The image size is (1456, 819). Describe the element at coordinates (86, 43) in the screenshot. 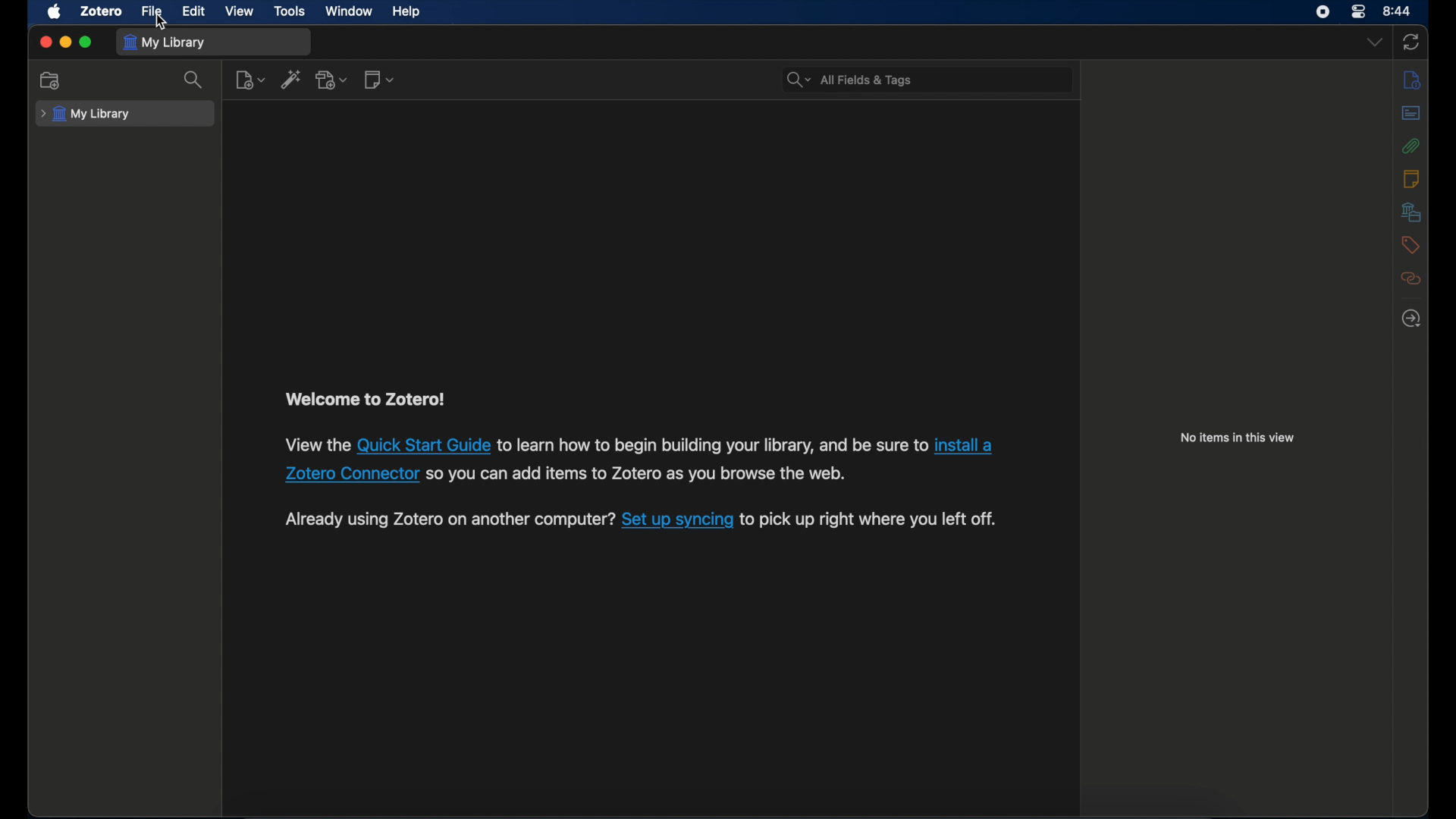

I see `maximize` at that location.